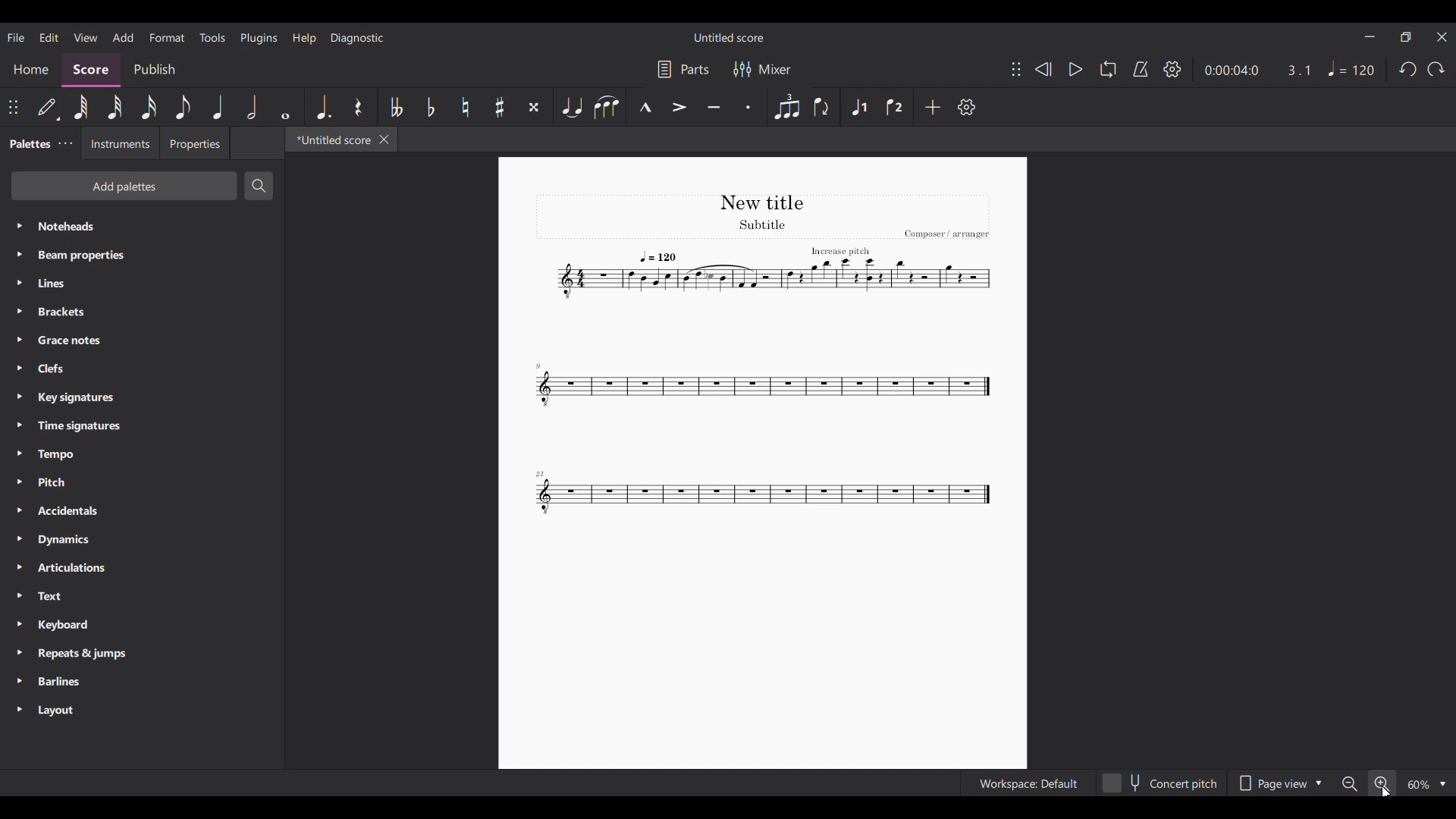 The width and height of the screenshot is (1456, 819). I want to click on Change position, so click(1016, 69).